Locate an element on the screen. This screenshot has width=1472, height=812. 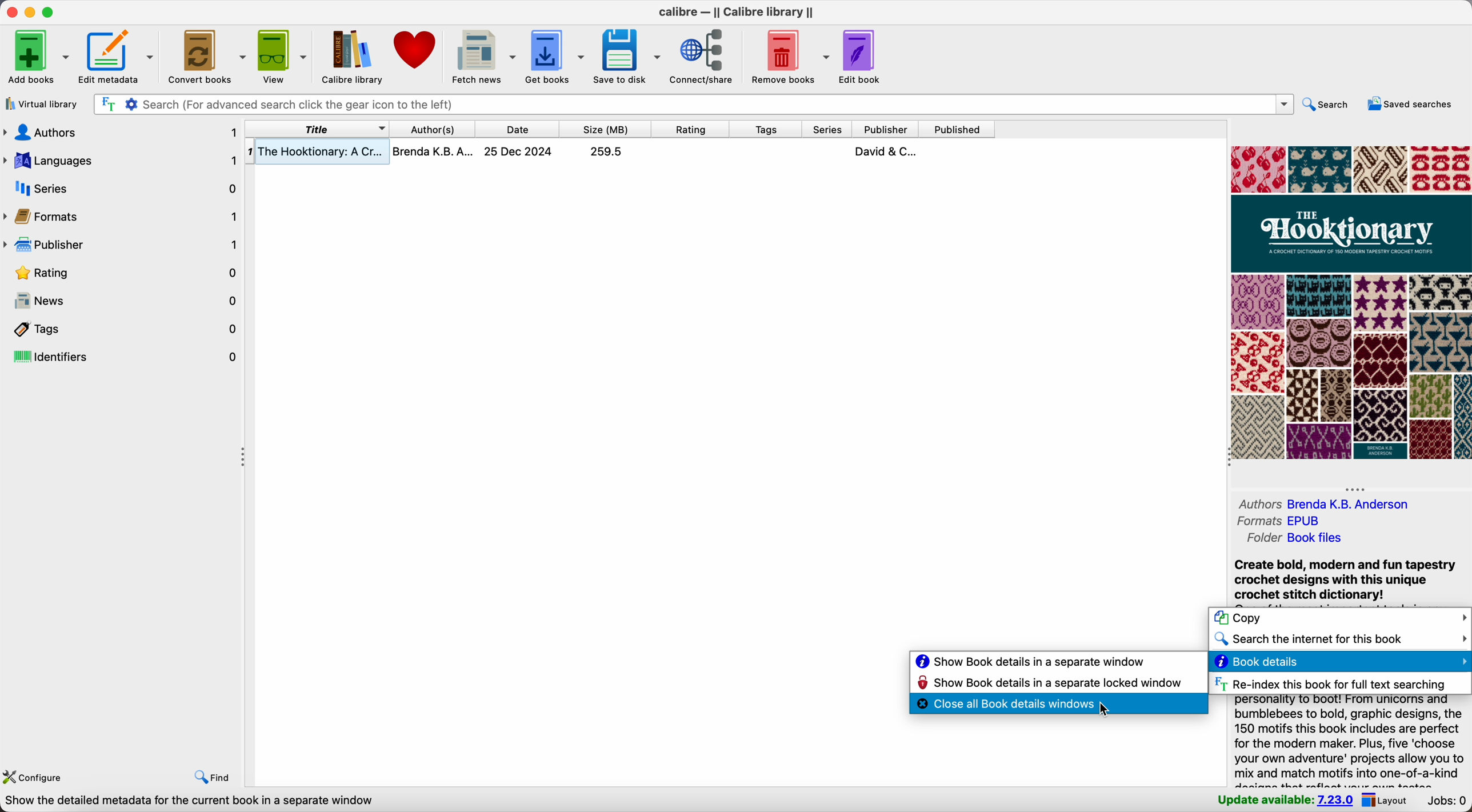
search is located at coordinates (1324, 105).